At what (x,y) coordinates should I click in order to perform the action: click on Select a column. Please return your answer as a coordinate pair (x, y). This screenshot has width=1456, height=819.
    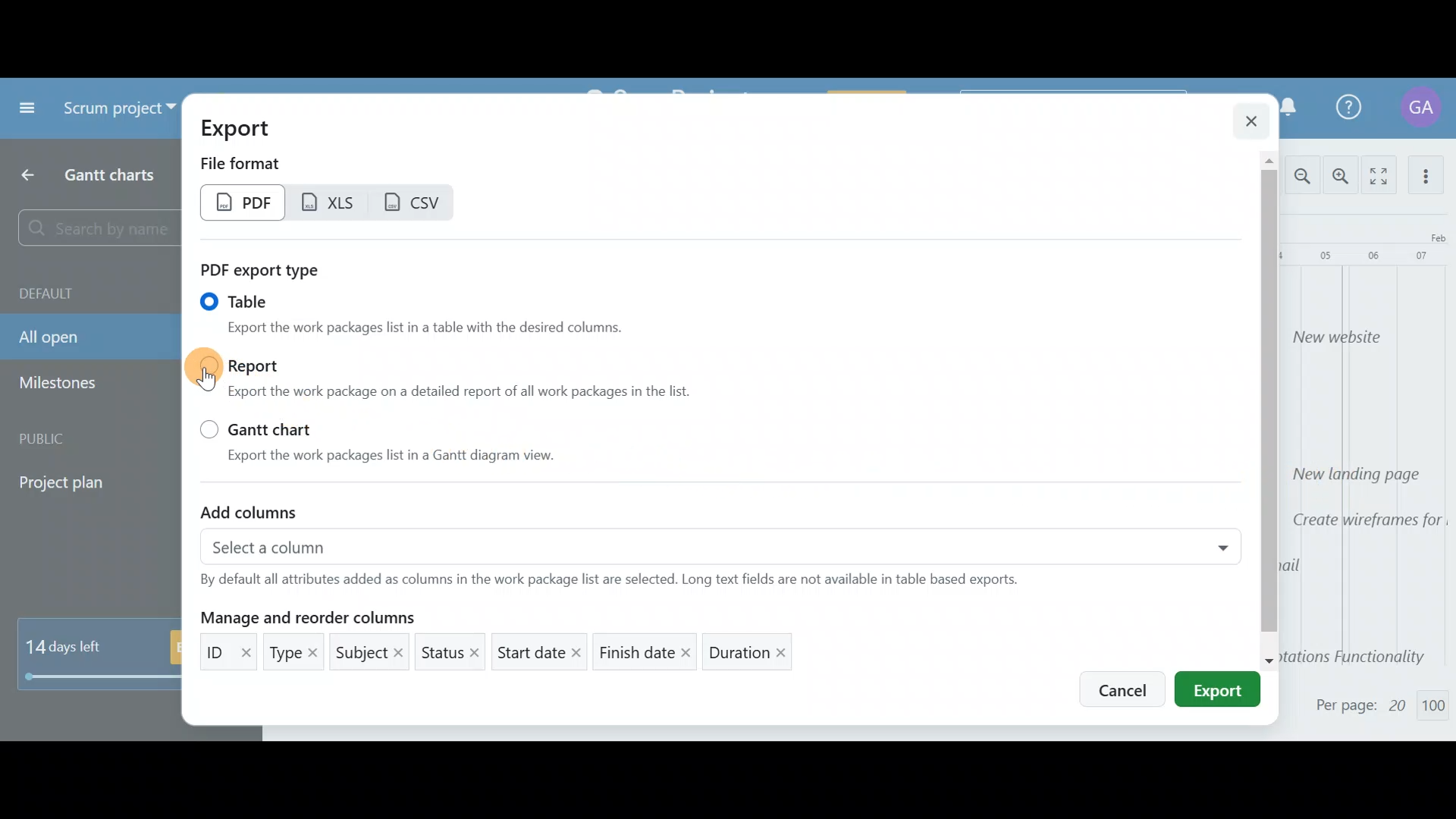
    Looking at the image, I should click on (717, 545).